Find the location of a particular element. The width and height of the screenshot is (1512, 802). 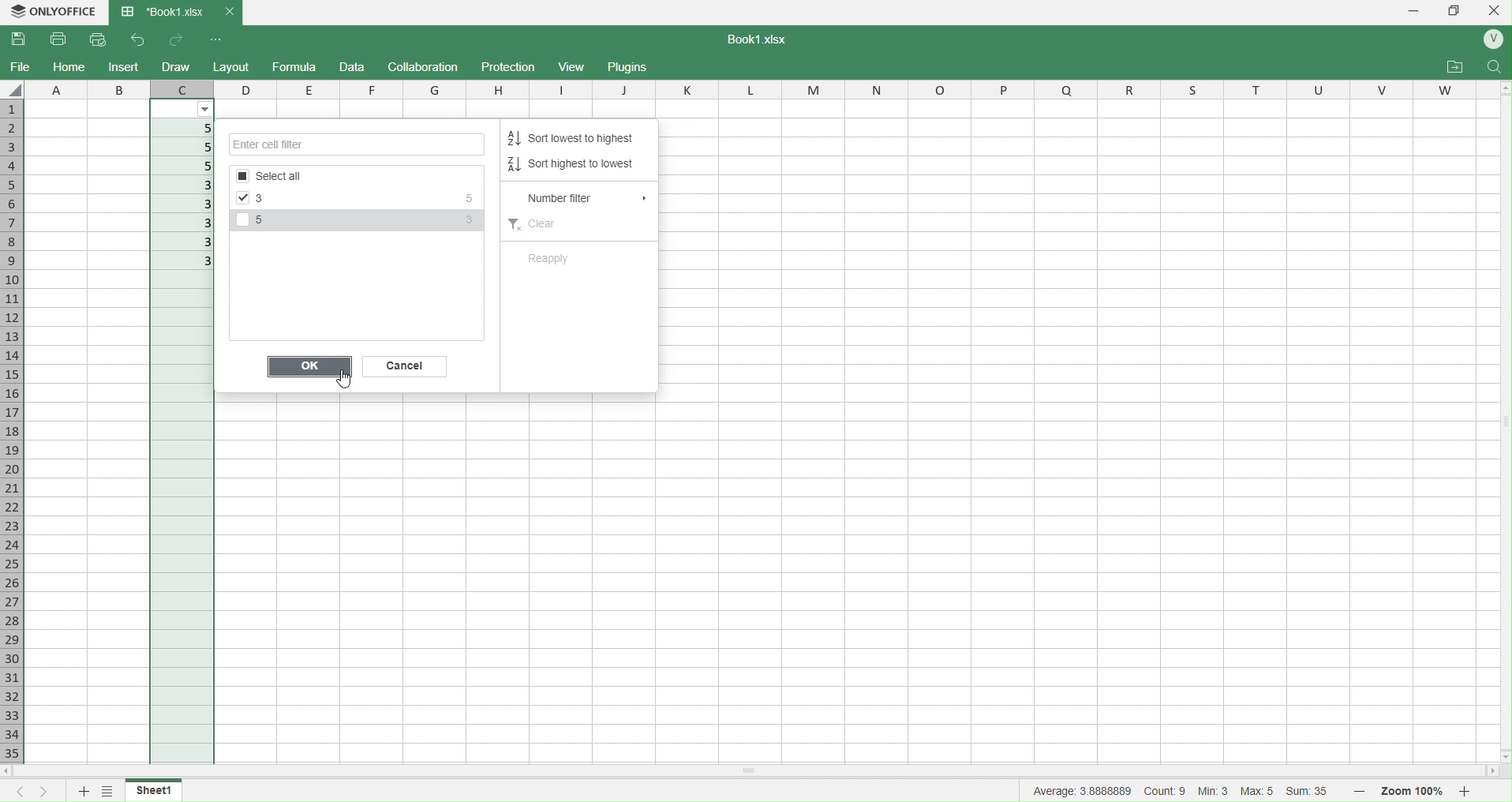

Scrollbar is located at coordinates (866, 770).